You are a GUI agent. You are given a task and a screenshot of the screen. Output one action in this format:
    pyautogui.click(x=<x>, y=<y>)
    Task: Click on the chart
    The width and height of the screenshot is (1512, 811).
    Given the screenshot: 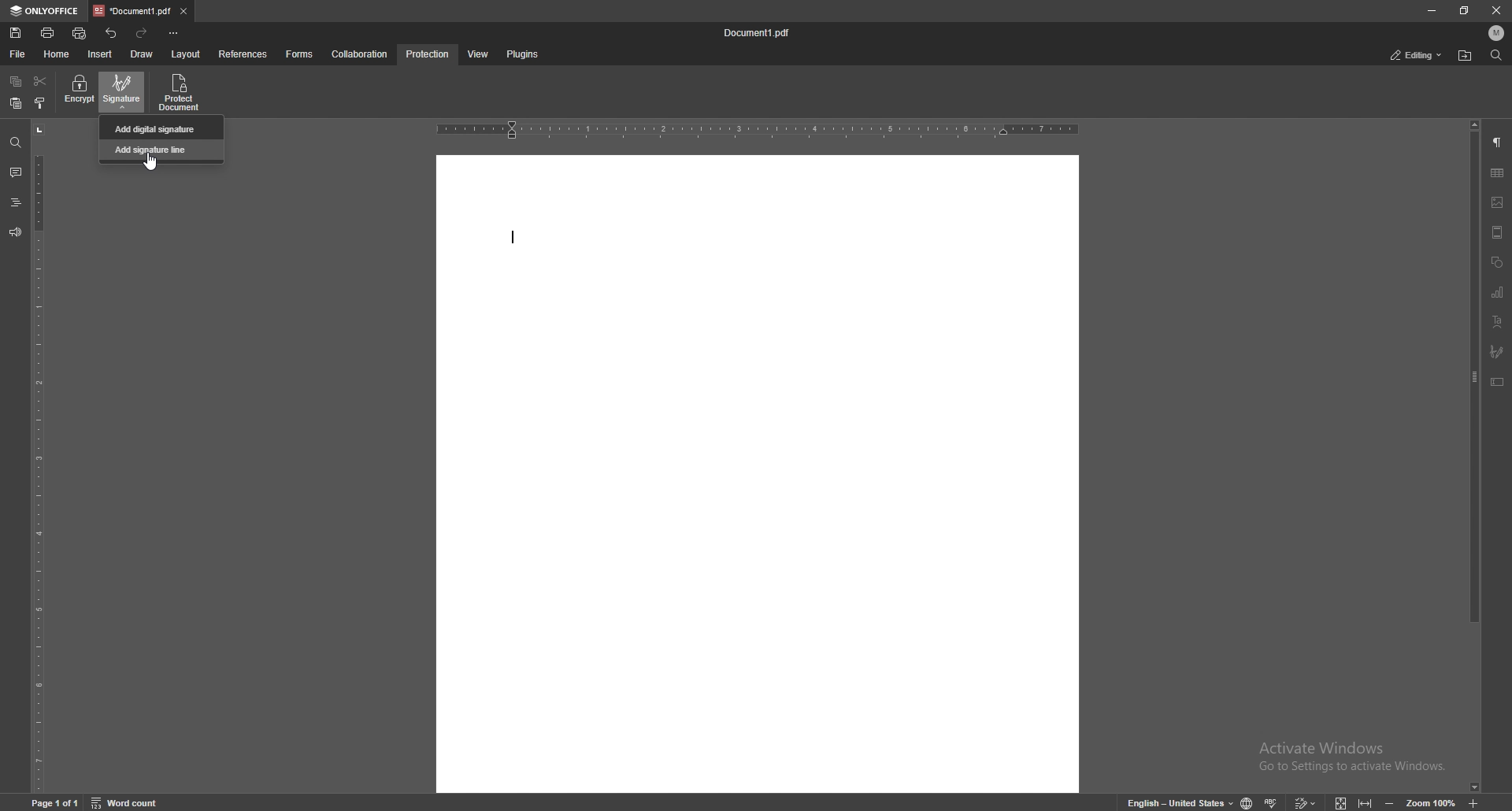 What is the action you would take?
    pyautogui.click(x=1498, y=293)
    